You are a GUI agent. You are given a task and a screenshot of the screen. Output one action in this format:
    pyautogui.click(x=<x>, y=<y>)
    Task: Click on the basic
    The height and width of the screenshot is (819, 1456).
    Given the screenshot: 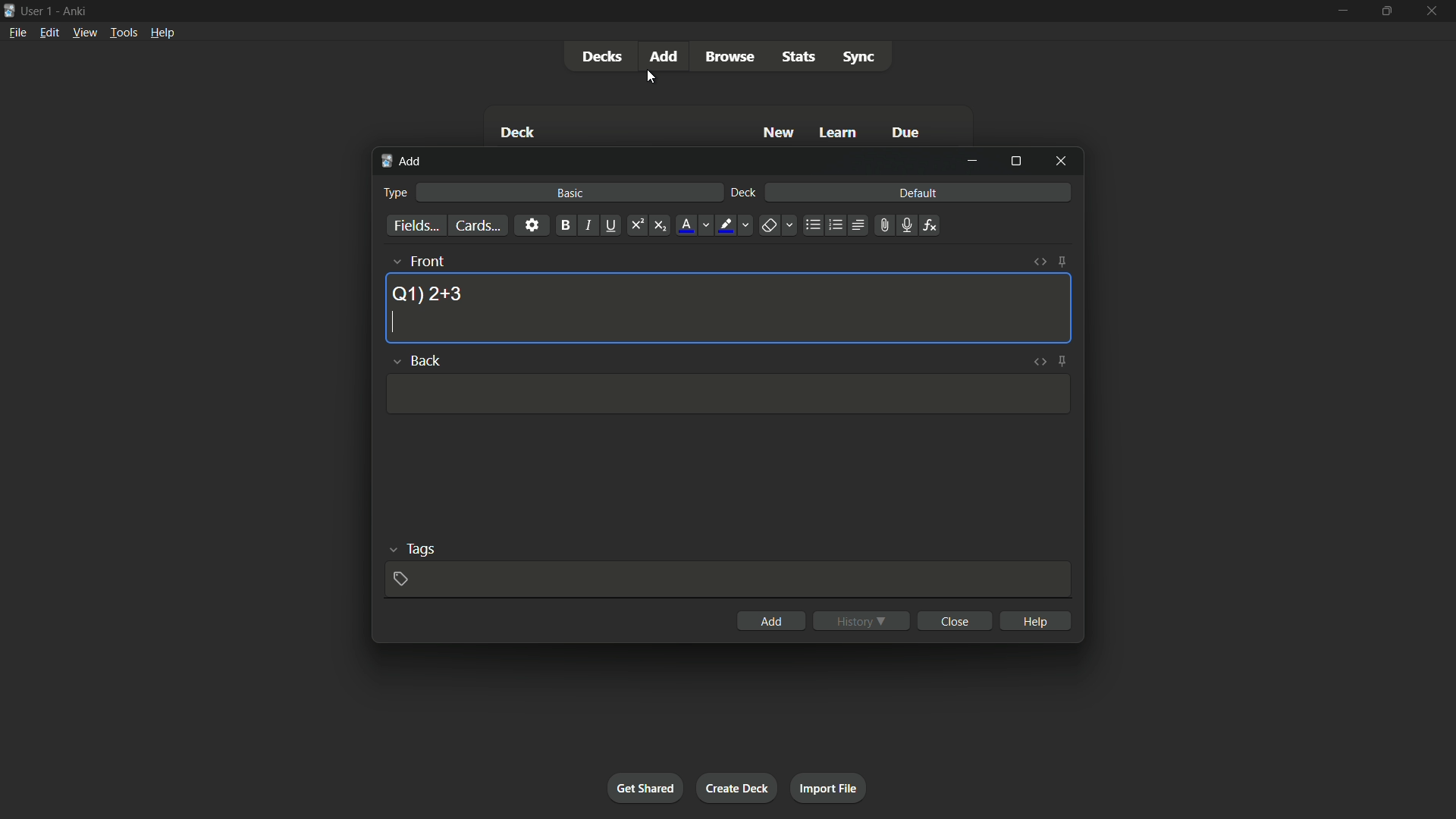 What is the action you would take?
    pyautogui.click(x=571, y=193)
    